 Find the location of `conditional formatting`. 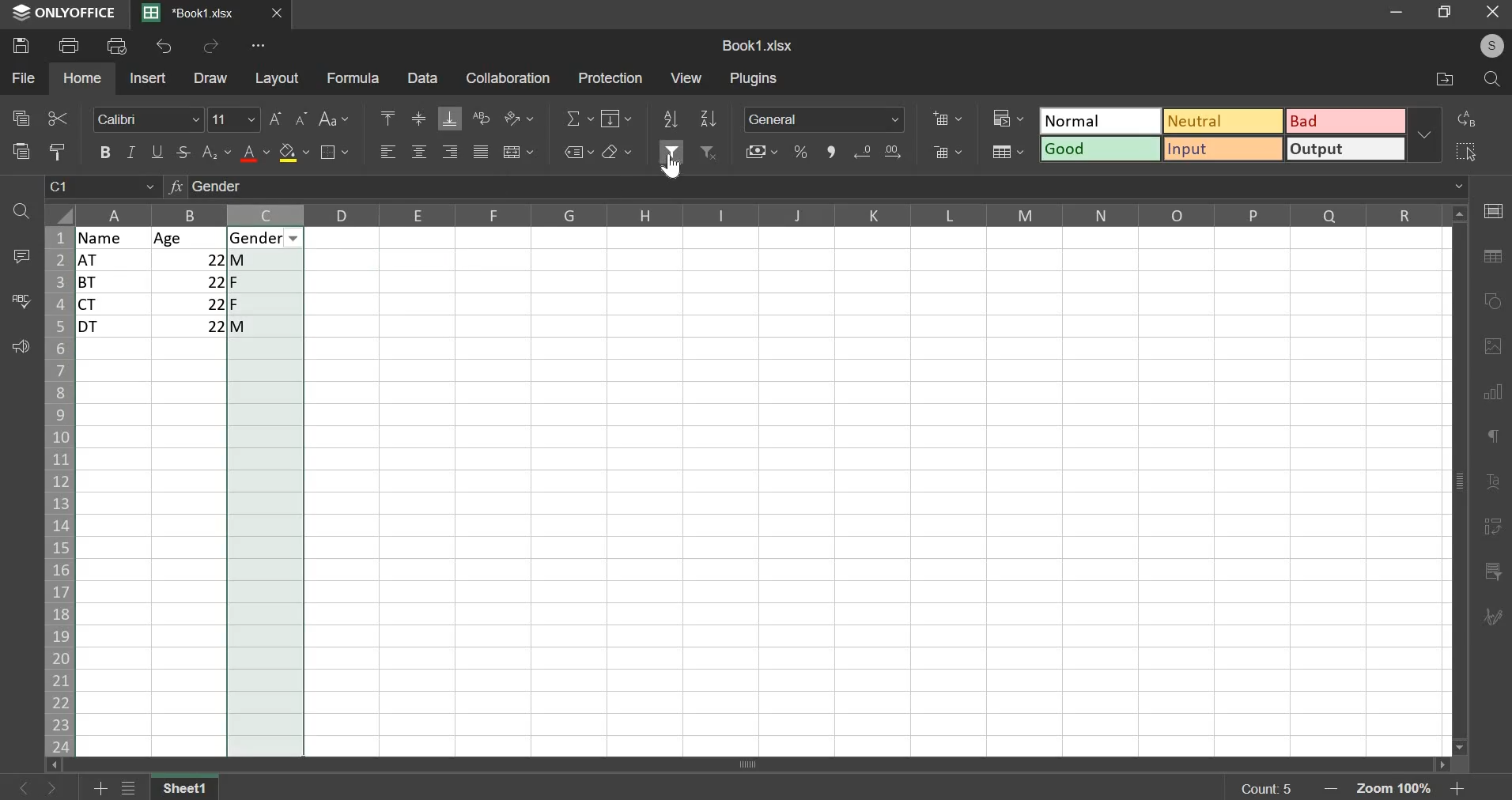

conditional formatting is located at coordinates (1006, 117).